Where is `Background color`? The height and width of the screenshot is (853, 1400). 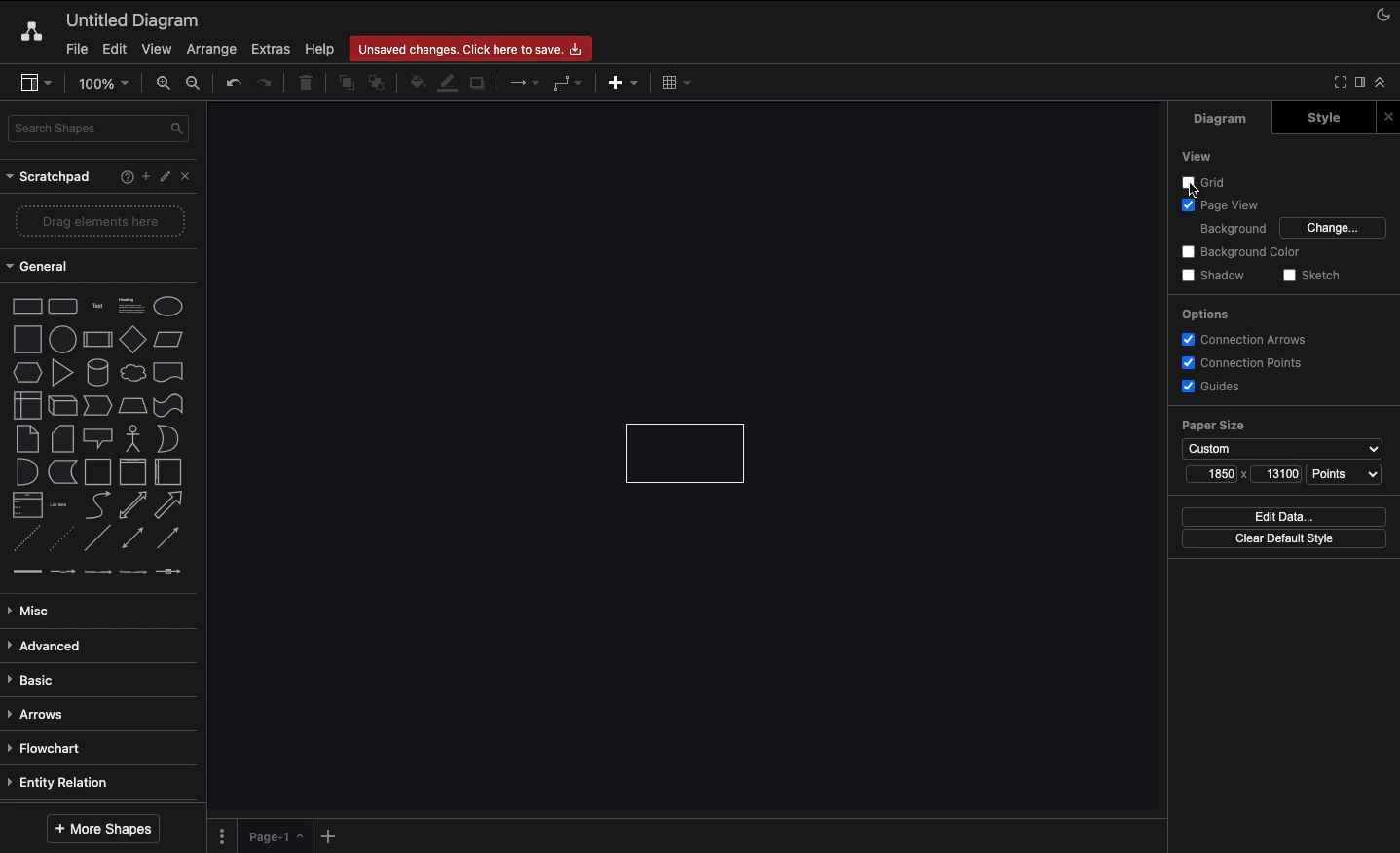
Background color is located at coordinates (1243, 252).